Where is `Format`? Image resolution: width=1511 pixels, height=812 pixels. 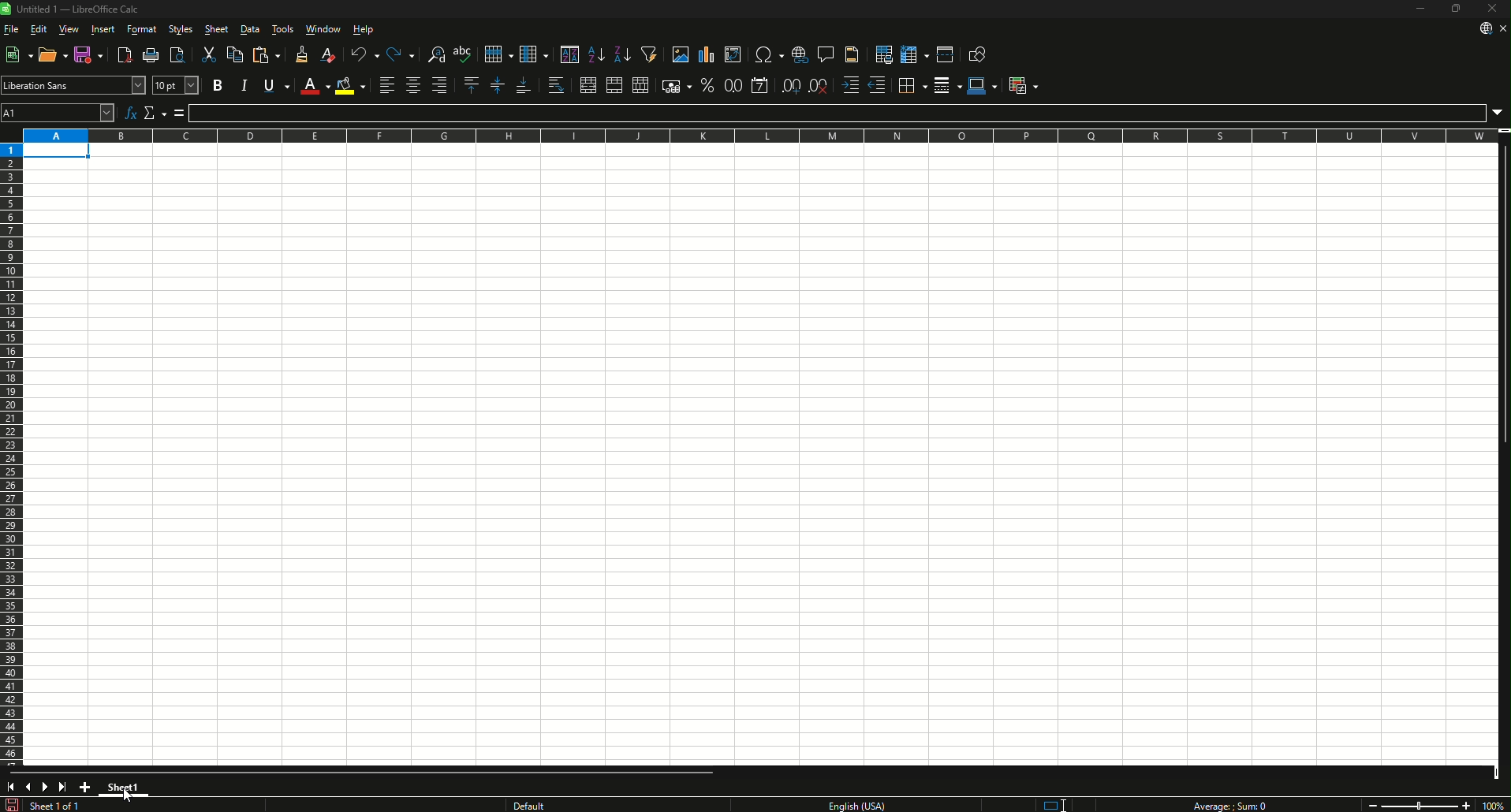 Format is located at coordinates (143, 28).